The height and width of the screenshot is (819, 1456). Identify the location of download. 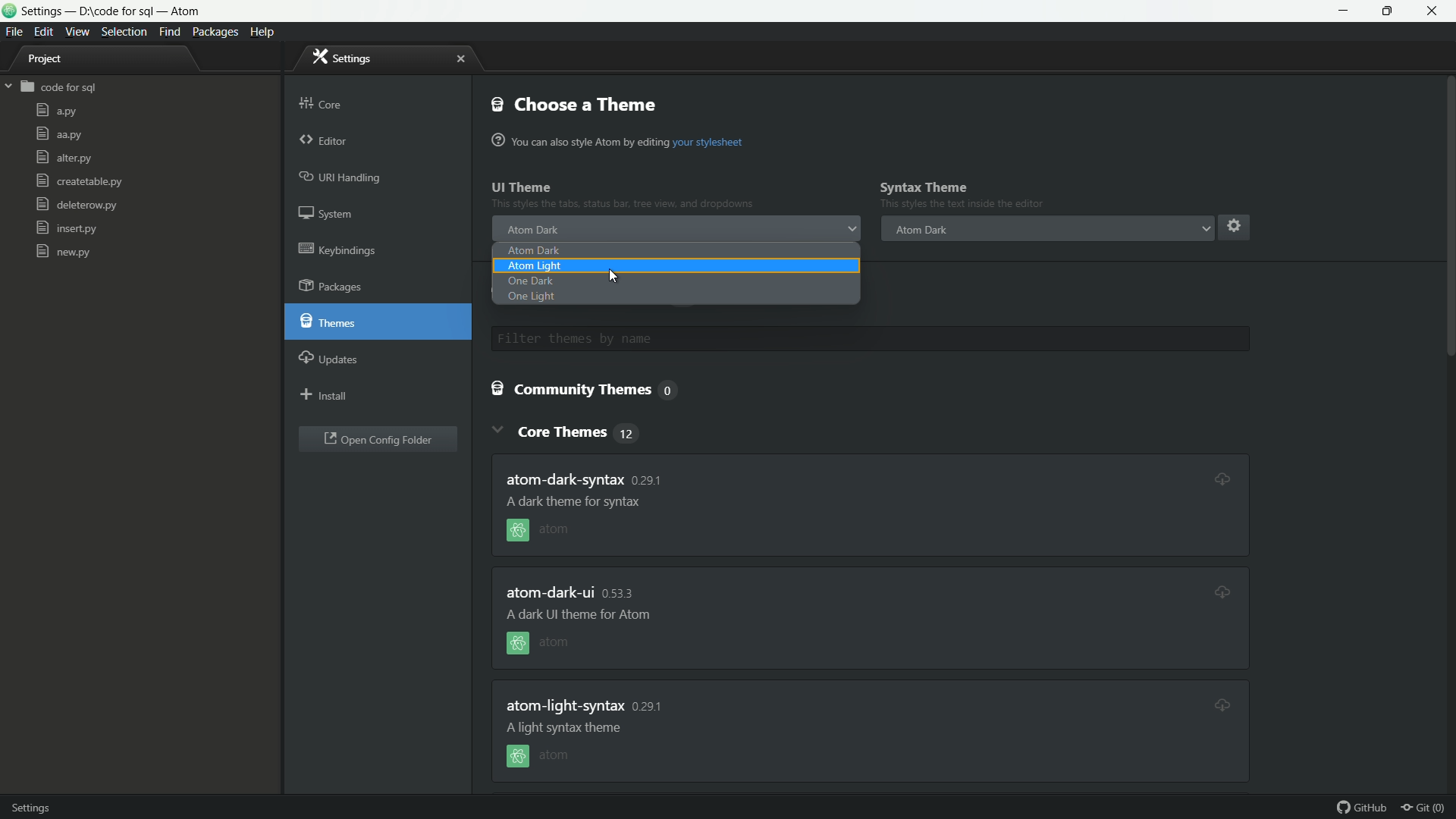
(1213, 476).